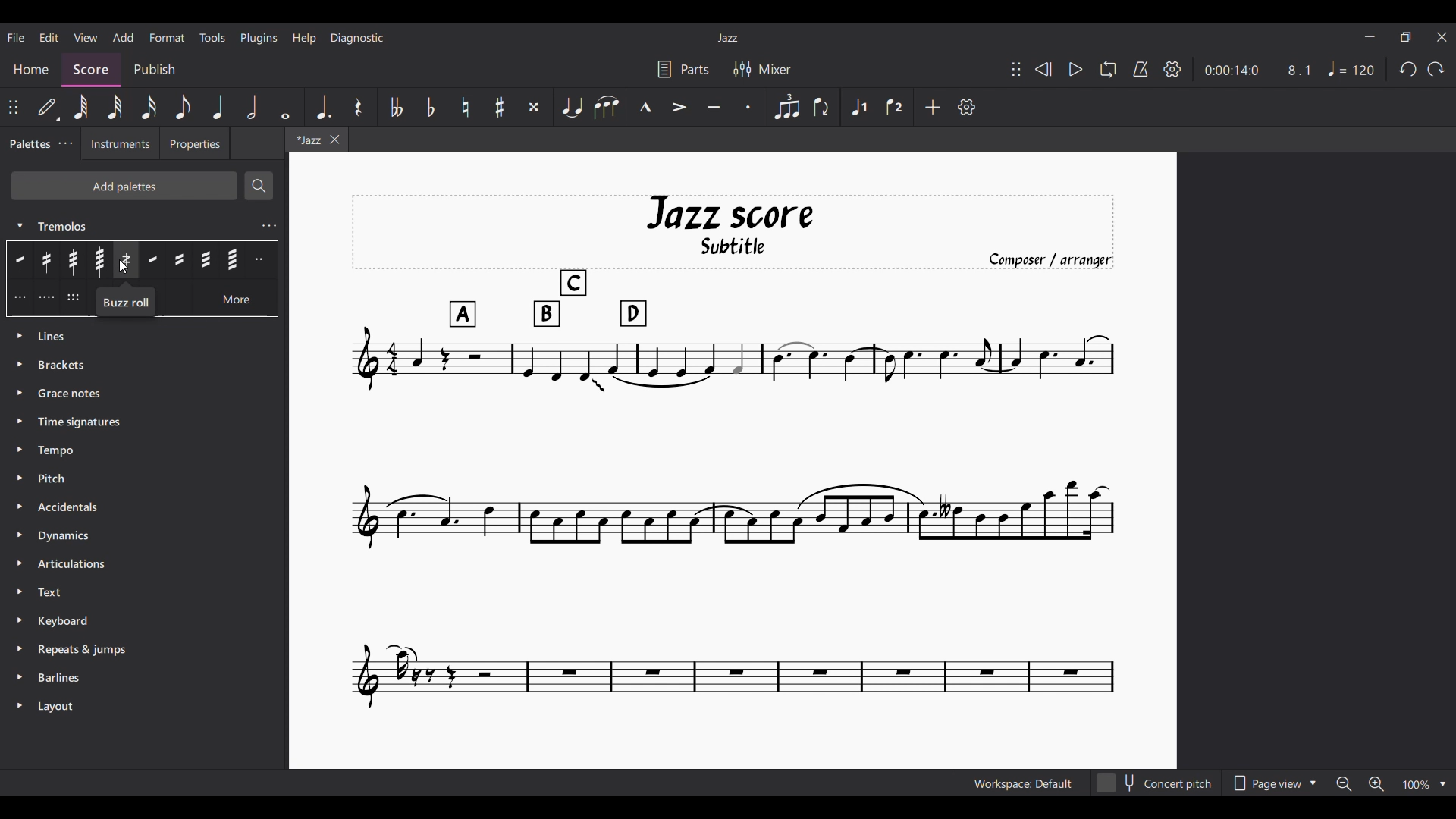 This screenshot has height=819, width=1456. Describe the element at coordinates (218, 106) in the screenshot. I see `Quarter note` at that location.